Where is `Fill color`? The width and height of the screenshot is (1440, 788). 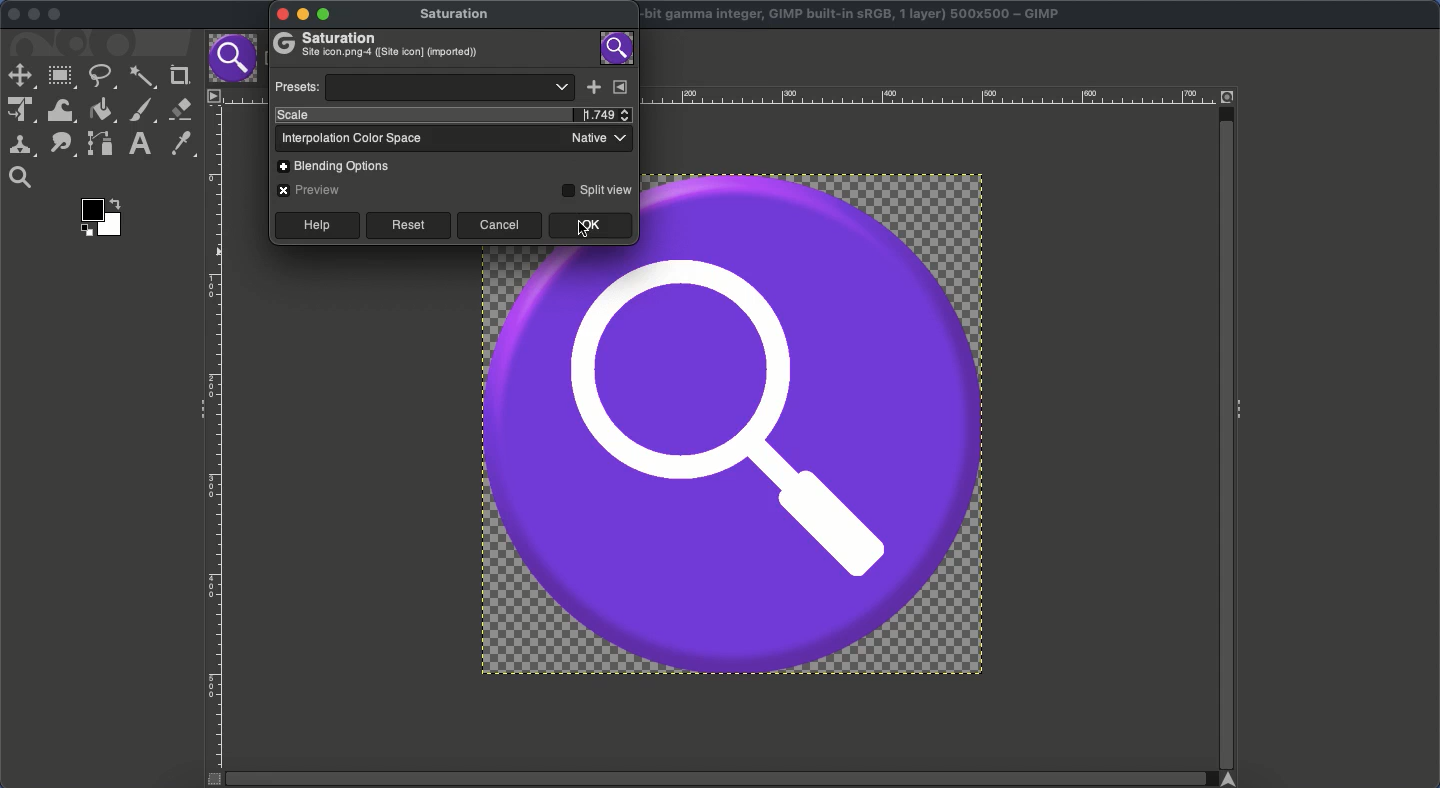 Fill color is located at coordinates (100, 111).